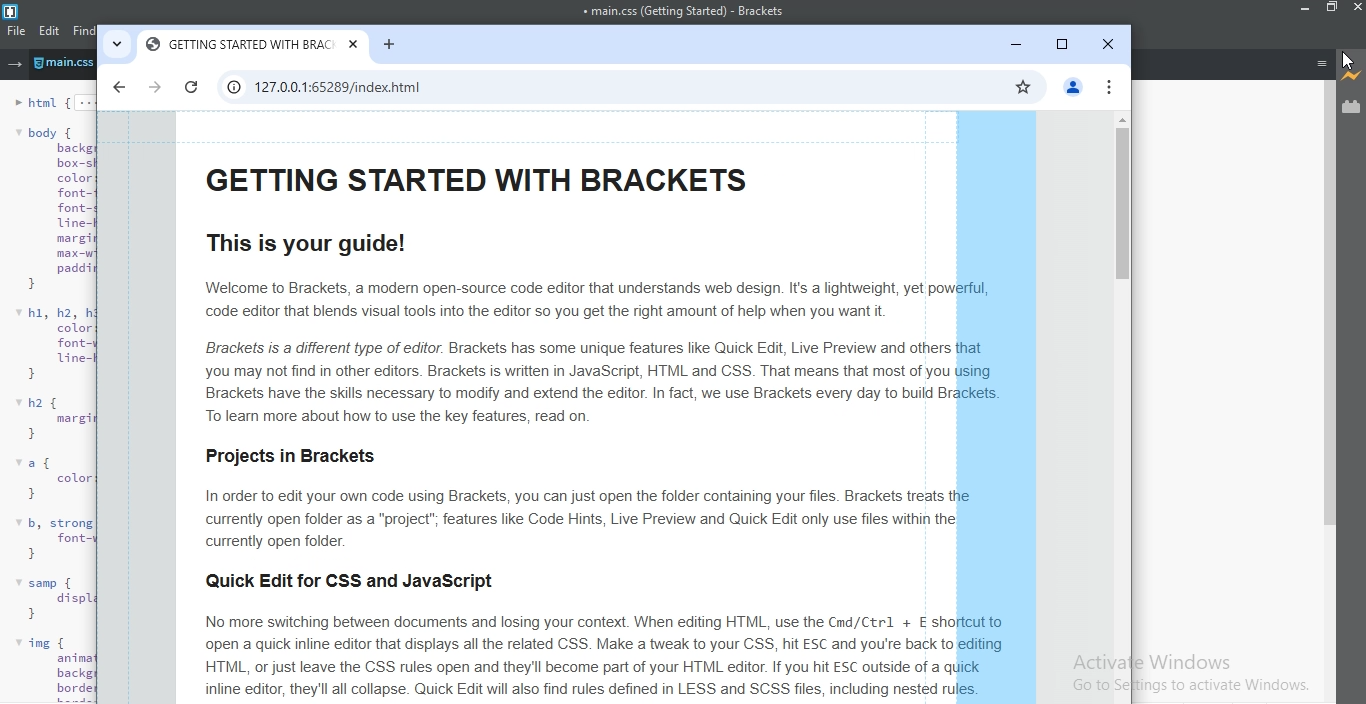  I want to click on minimise, so click(1015, 45).